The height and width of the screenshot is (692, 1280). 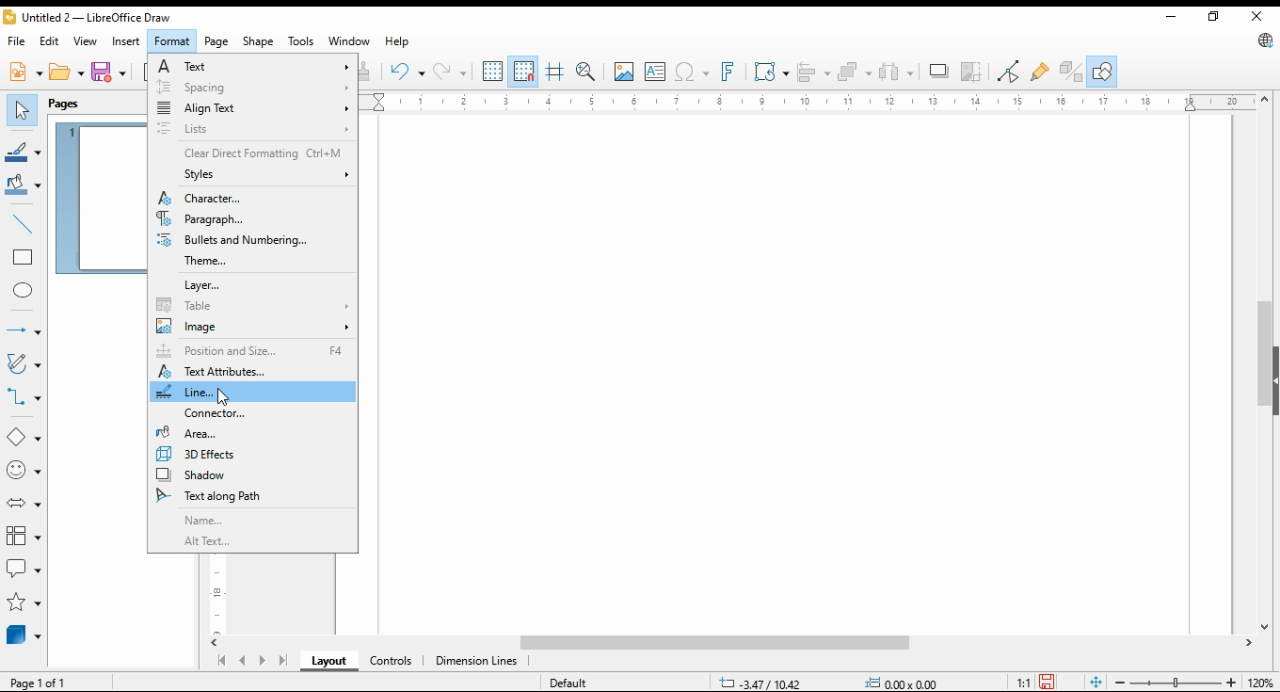 What do you see at coordinates (201, 453) in the screenshot?
I see `3D effects` at bounding box center [201, 453].